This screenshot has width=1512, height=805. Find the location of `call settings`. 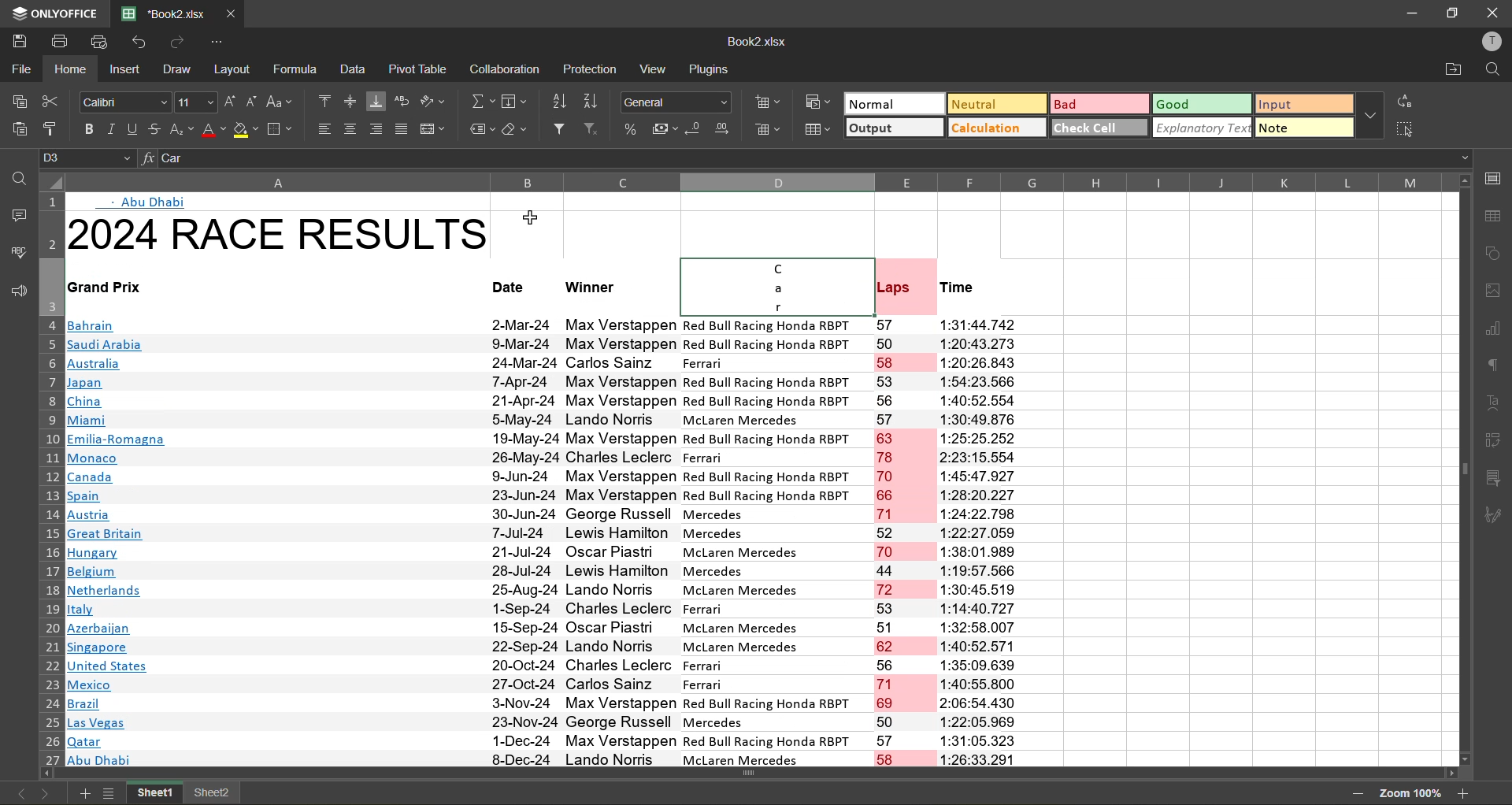

call settings is located at coordinates (1495, 180).